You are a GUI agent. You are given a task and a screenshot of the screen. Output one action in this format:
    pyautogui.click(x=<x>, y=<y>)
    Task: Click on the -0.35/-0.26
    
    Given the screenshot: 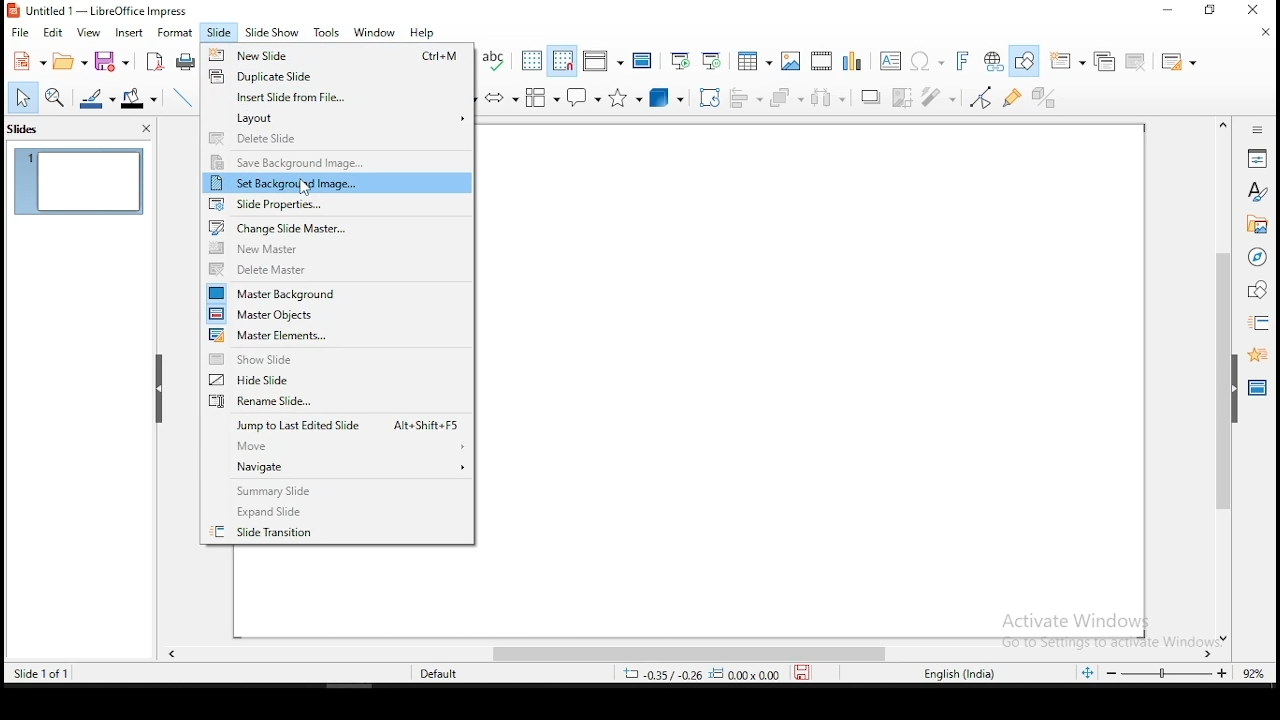 What is the action you would take?
    pyautogui.click(x=661, y=673)
    